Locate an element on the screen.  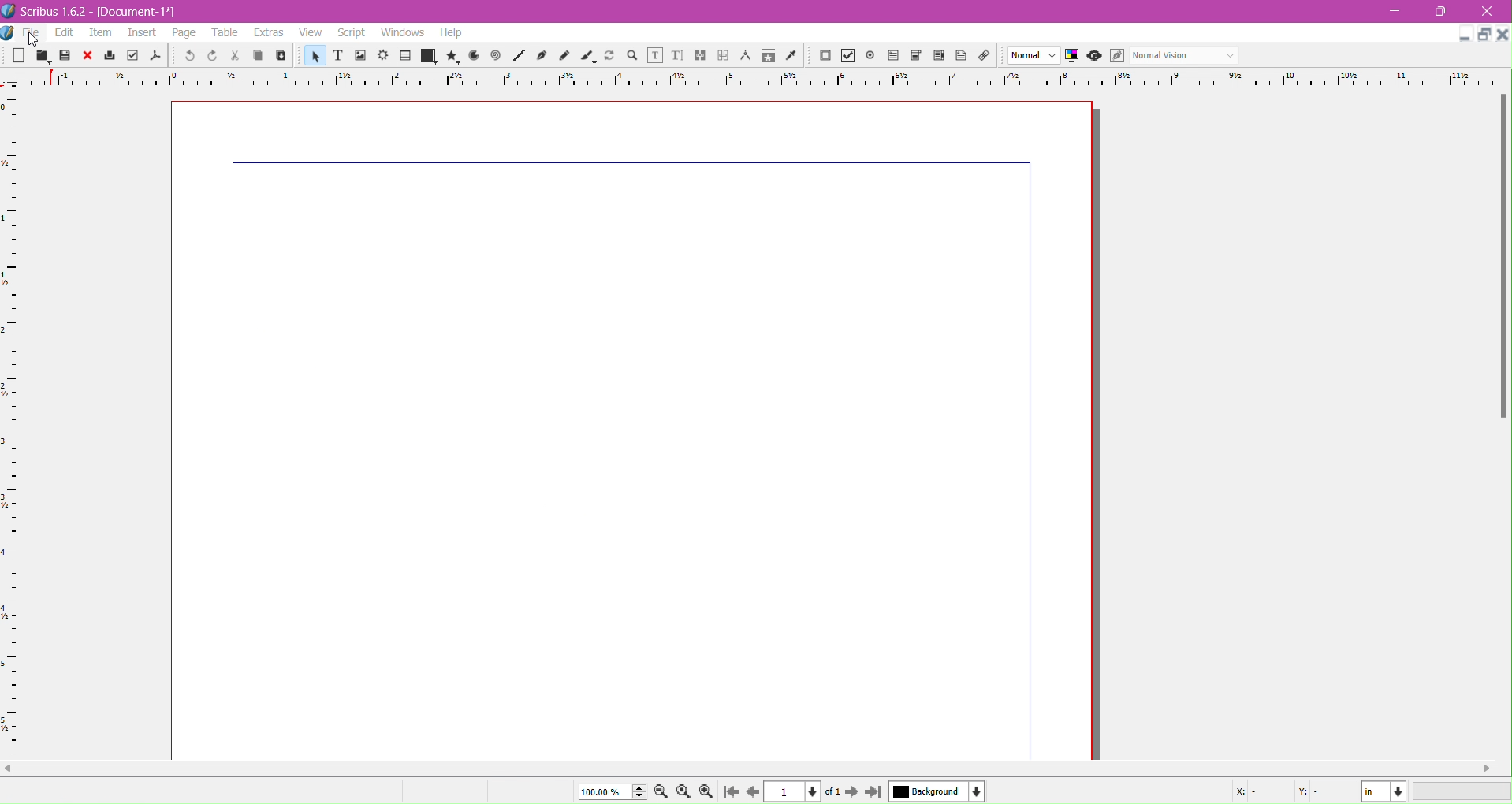
edit menu is located at coordinates (65, 33).